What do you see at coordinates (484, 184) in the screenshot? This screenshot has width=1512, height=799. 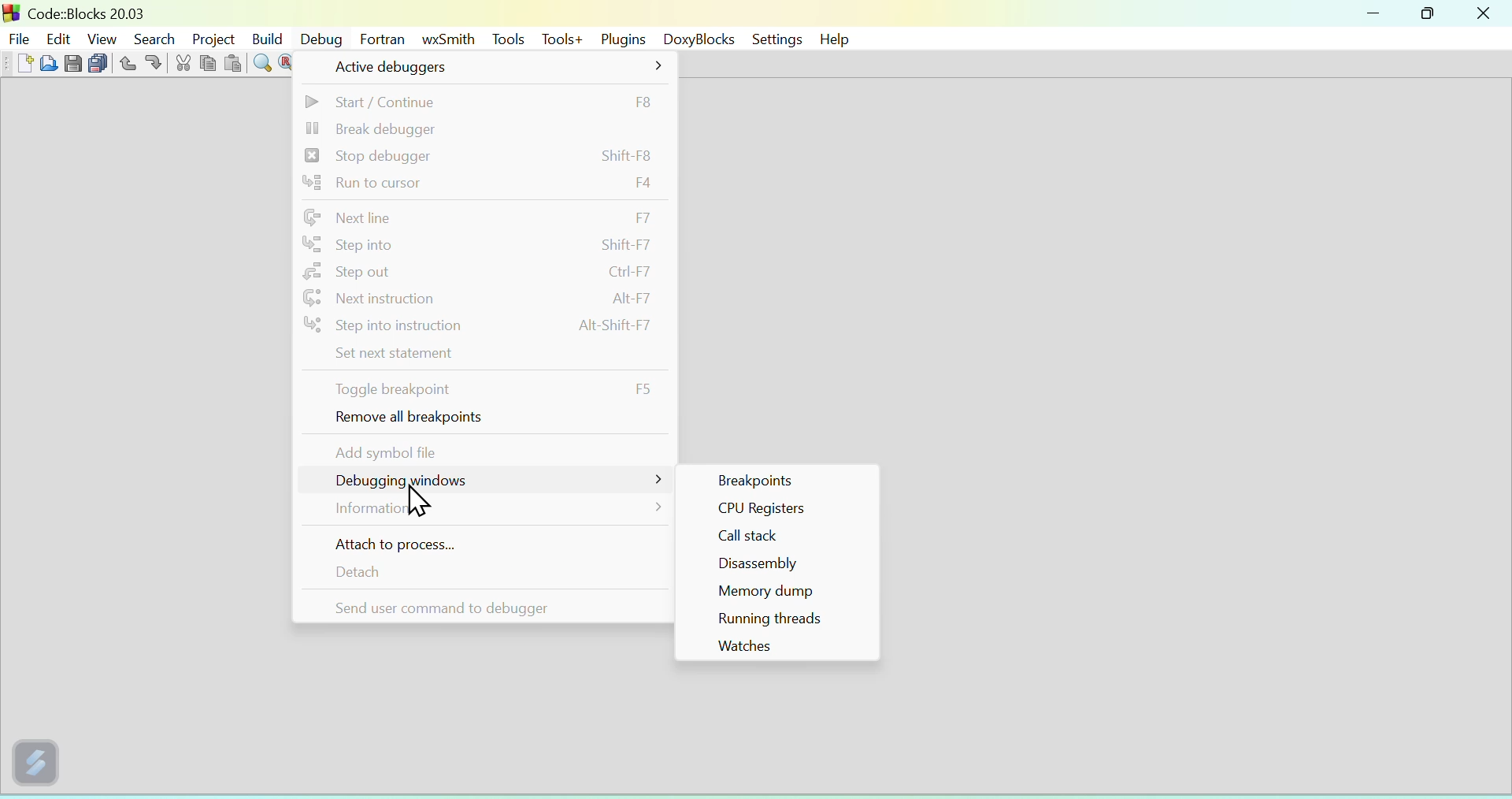 I see `run to cursor` at bounding box center [484, 184].